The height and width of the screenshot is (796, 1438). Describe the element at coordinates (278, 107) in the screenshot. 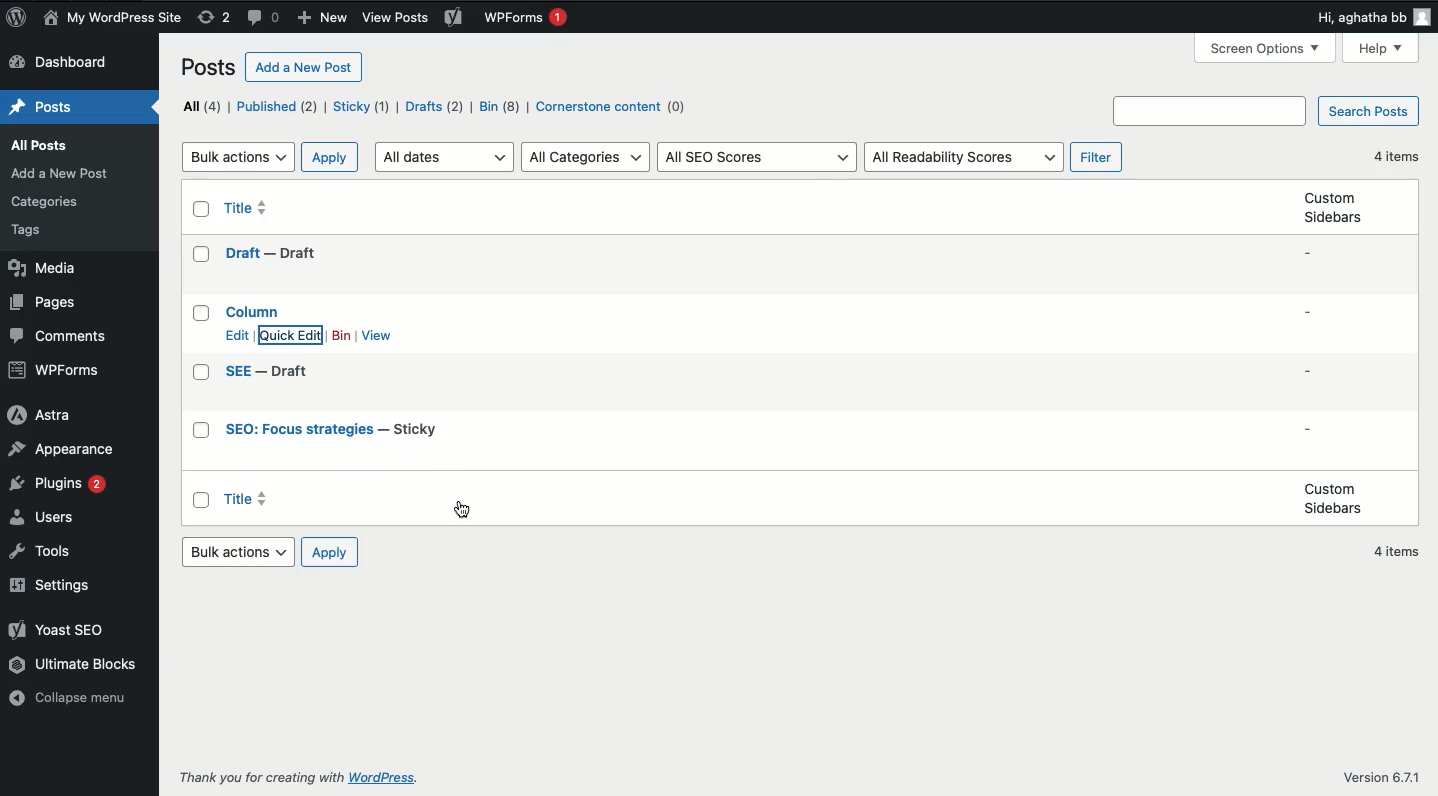

I see `Published` at that location.